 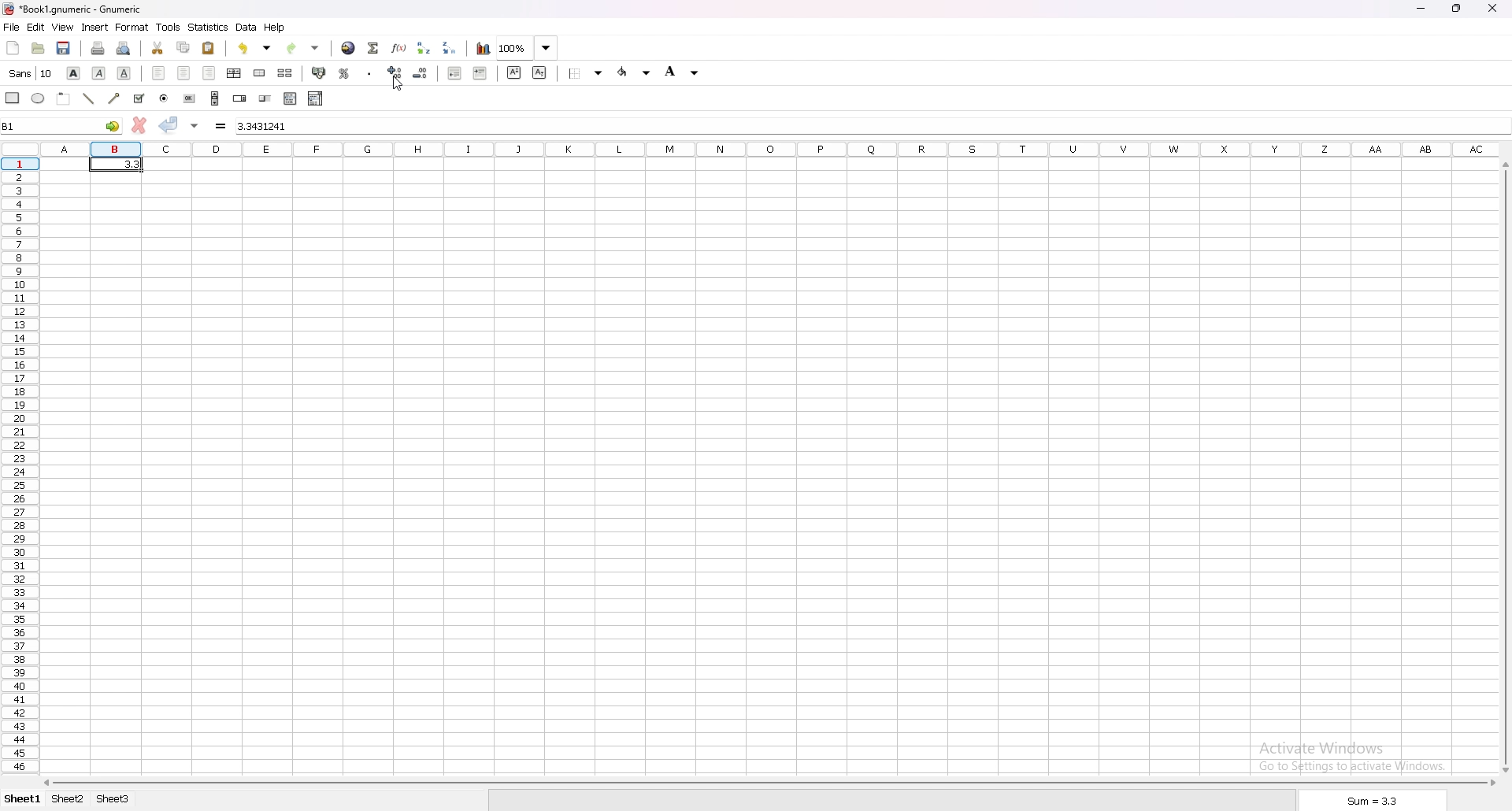 What do you see at coordinates (480, 74) in the screenshot?
I see `increase indent` at bounding box center [480, 74].